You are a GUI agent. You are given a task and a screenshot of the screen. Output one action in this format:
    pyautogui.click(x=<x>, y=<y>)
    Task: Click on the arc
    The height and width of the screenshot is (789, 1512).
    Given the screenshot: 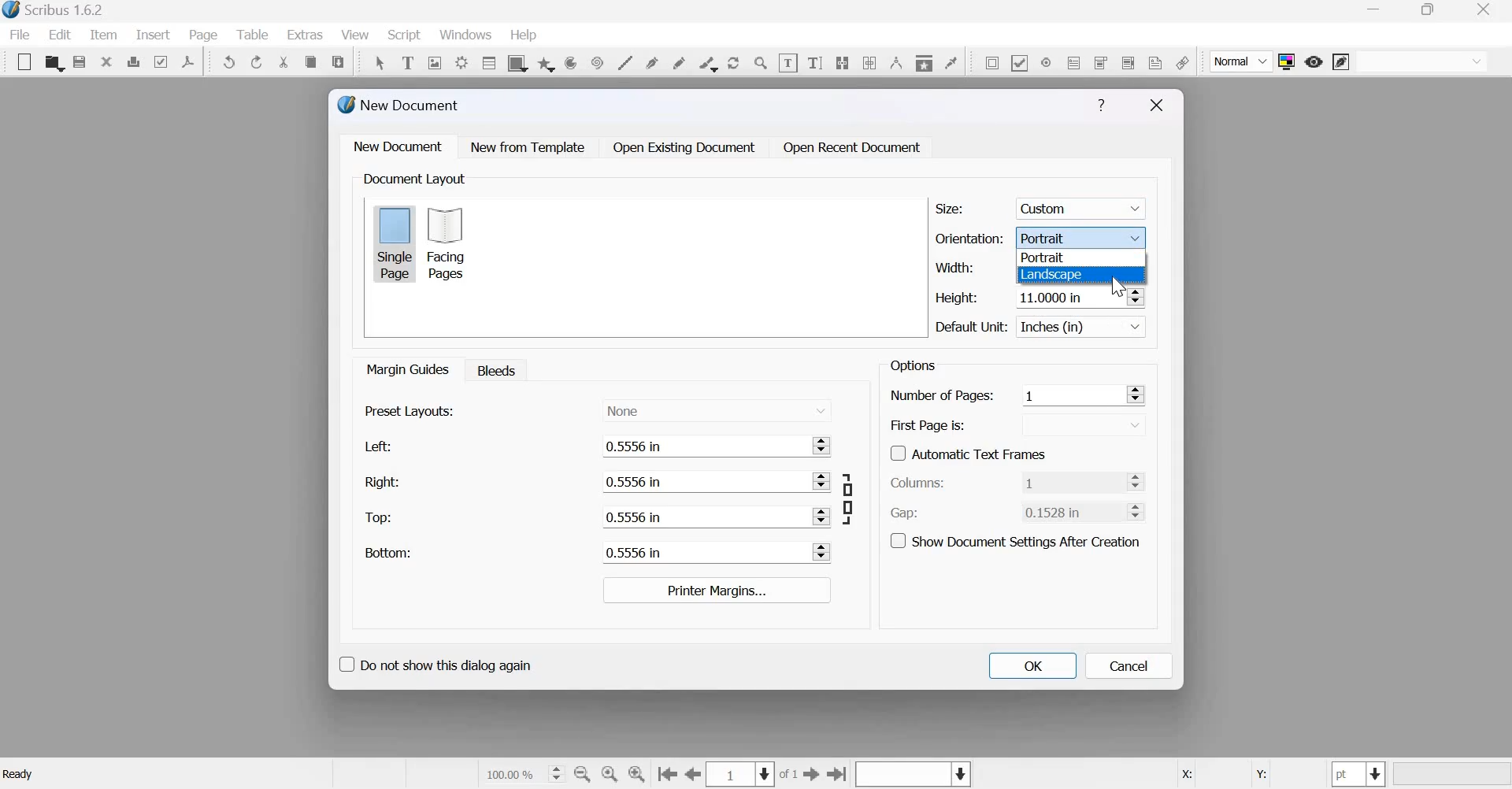 What is the action you would take?
    pyautogui.click(x=546, y=62)
    